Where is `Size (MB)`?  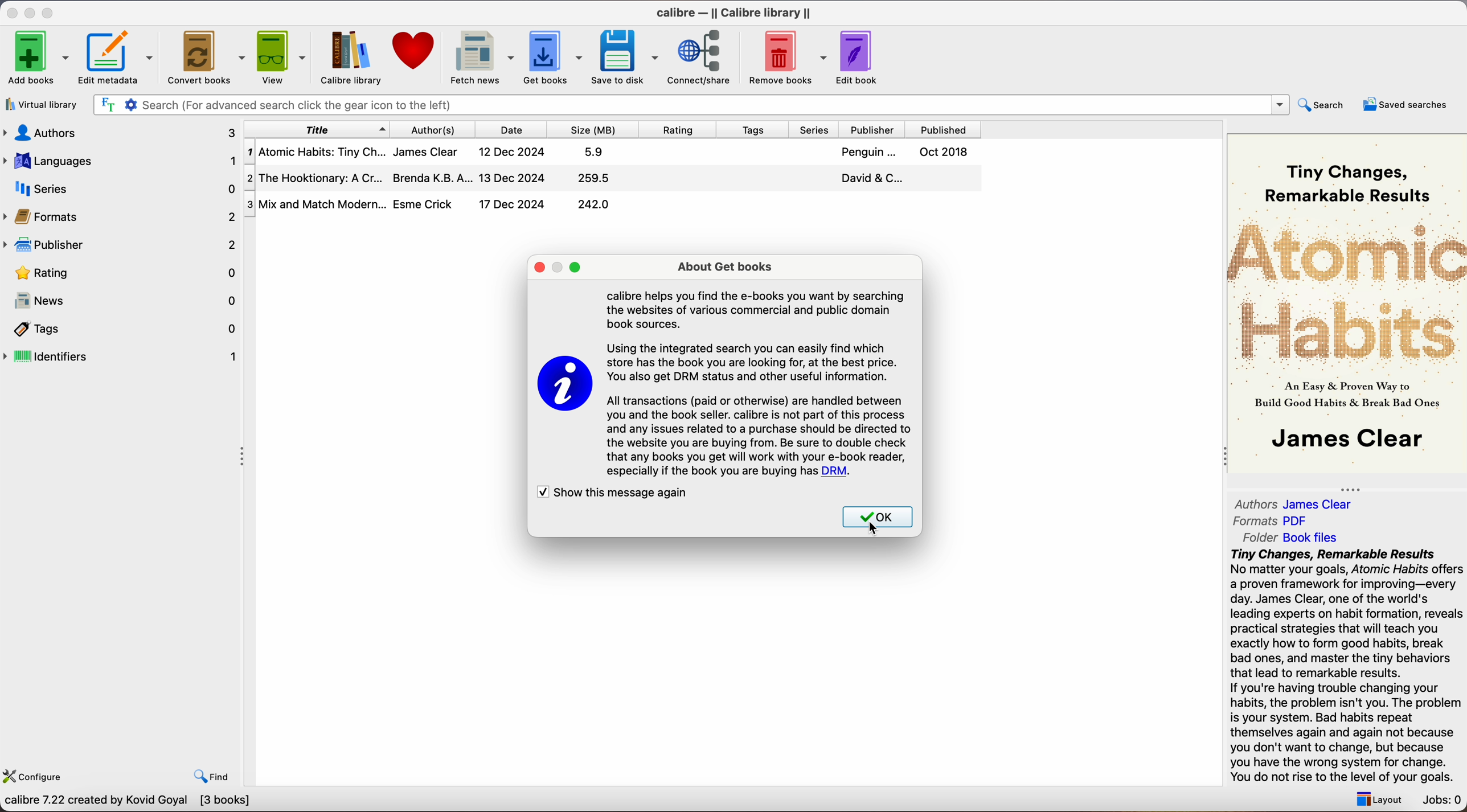 Size (MB) is located at coordinates (593, 130).